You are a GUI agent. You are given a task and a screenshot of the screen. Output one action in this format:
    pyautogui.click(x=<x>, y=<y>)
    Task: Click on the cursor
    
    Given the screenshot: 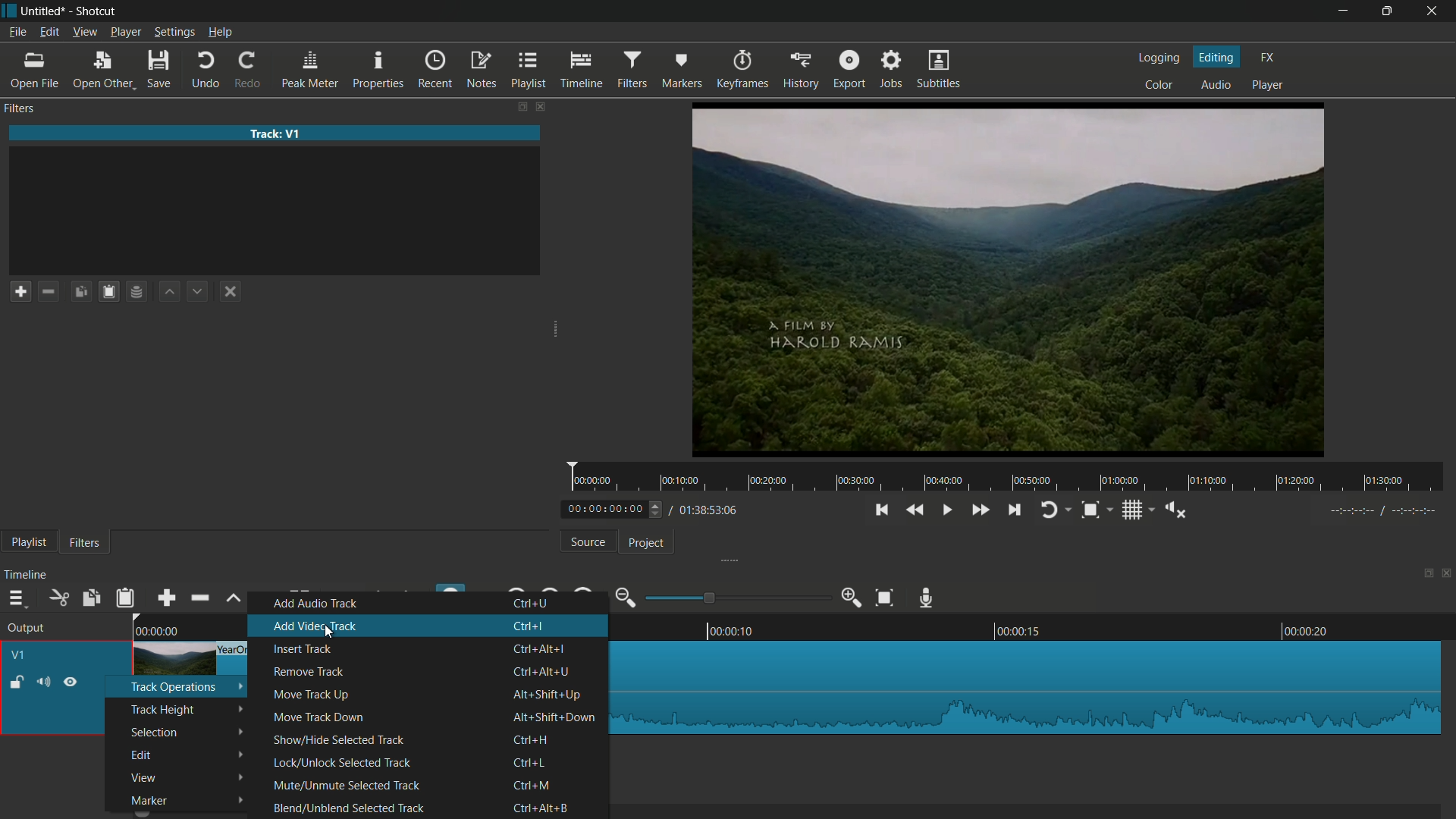 What is the action you would take?
    pyautogui.click(x=328, y=632)
    